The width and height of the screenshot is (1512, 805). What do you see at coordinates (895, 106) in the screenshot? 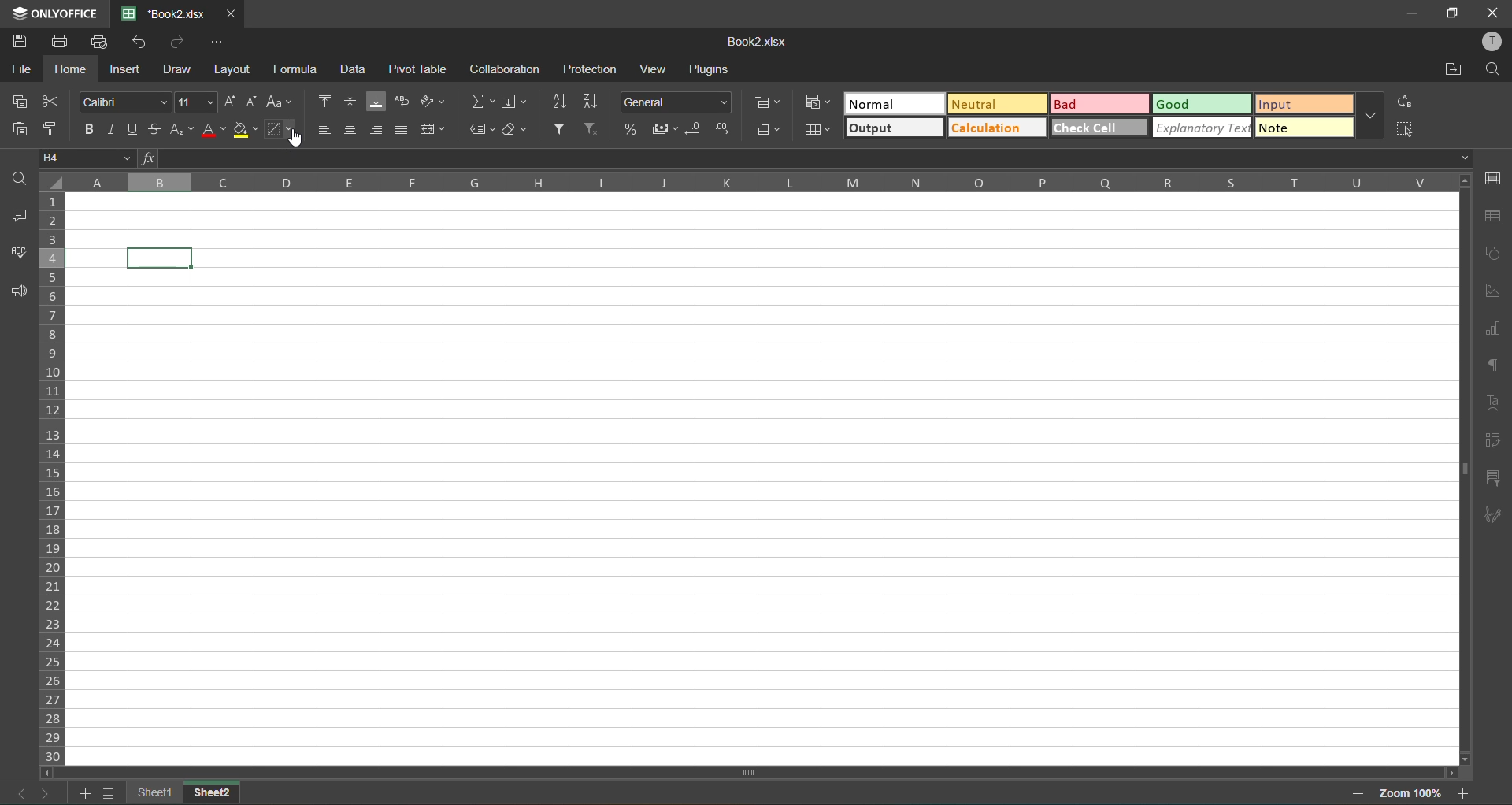
I see `normal` at bounding box center [895, 106].